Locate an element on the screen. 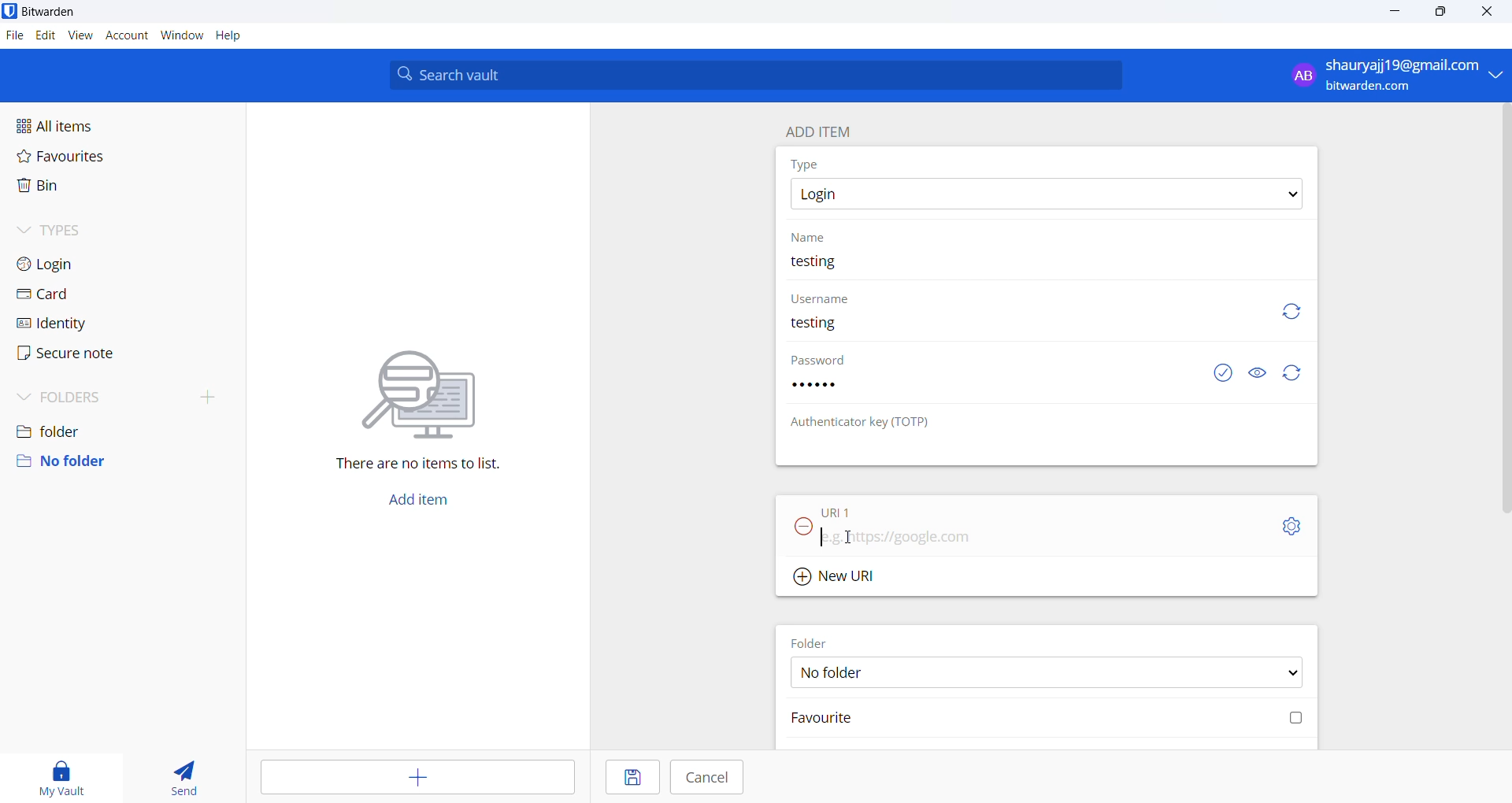  URL input is located at coordinates (1025, 541).